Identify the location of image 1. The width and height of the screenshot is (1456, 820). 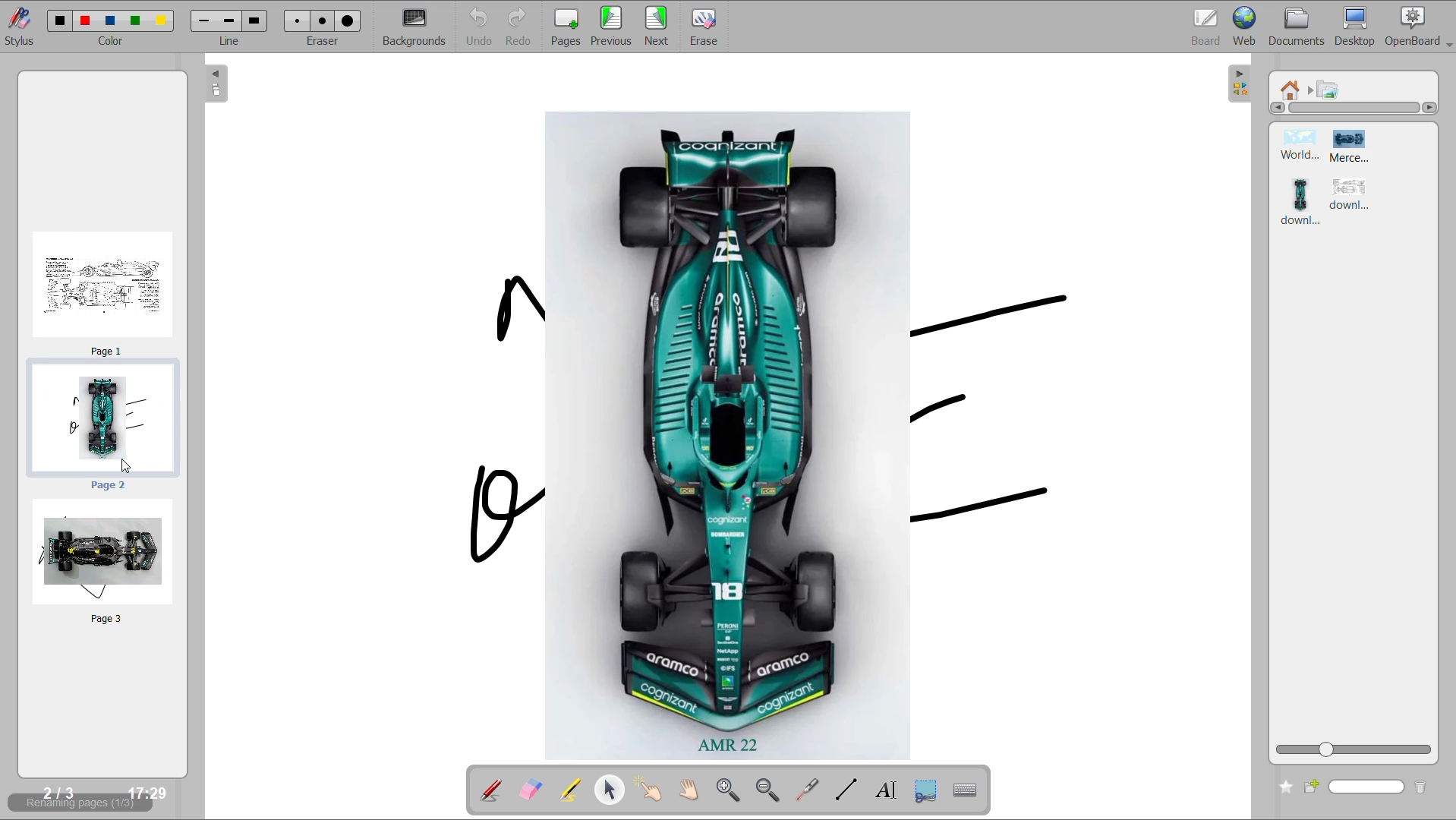
(1294, 147).